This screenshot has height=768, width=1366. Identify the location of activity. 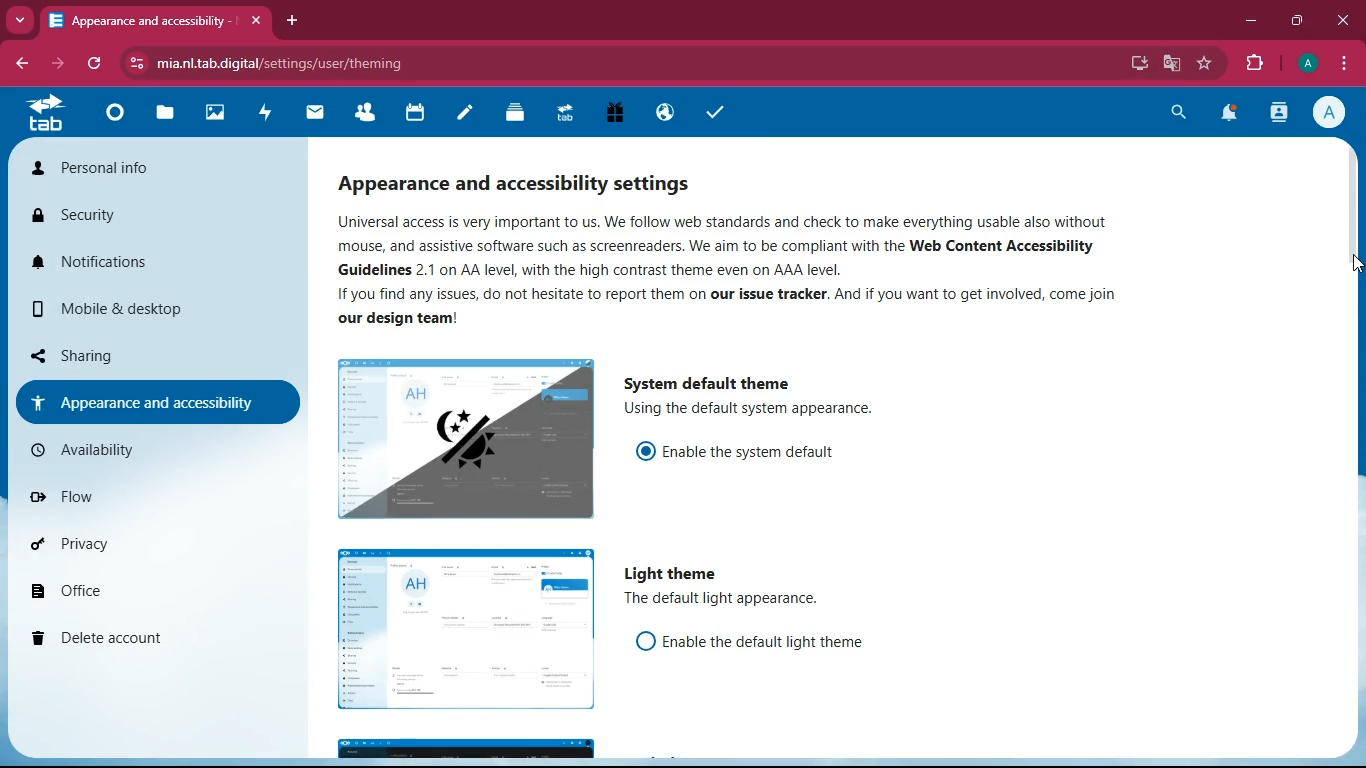
(1281, 112).